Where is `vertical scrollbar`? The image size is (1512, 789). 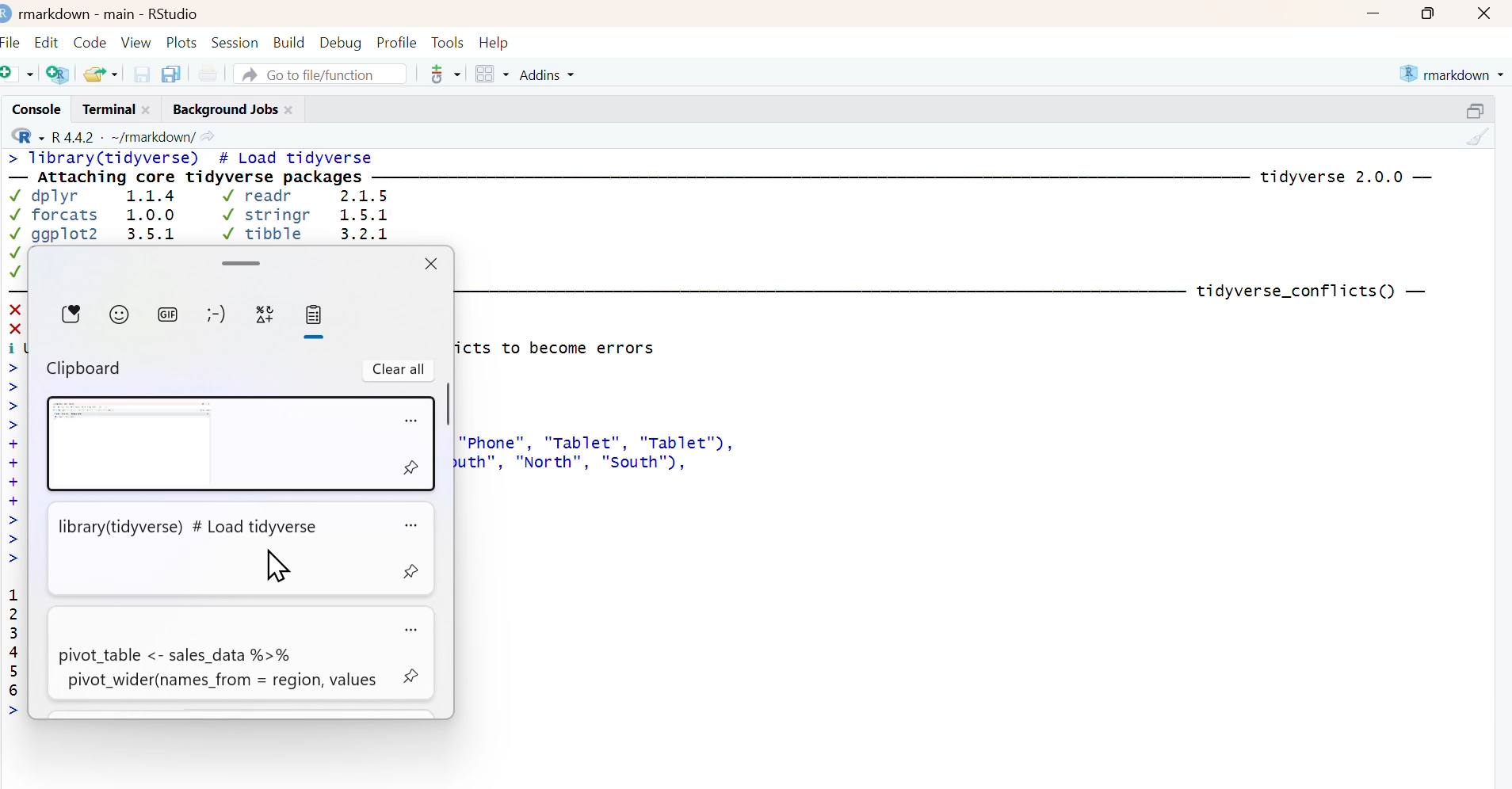 vertical scrollbar is located at coordinates (449, 405).